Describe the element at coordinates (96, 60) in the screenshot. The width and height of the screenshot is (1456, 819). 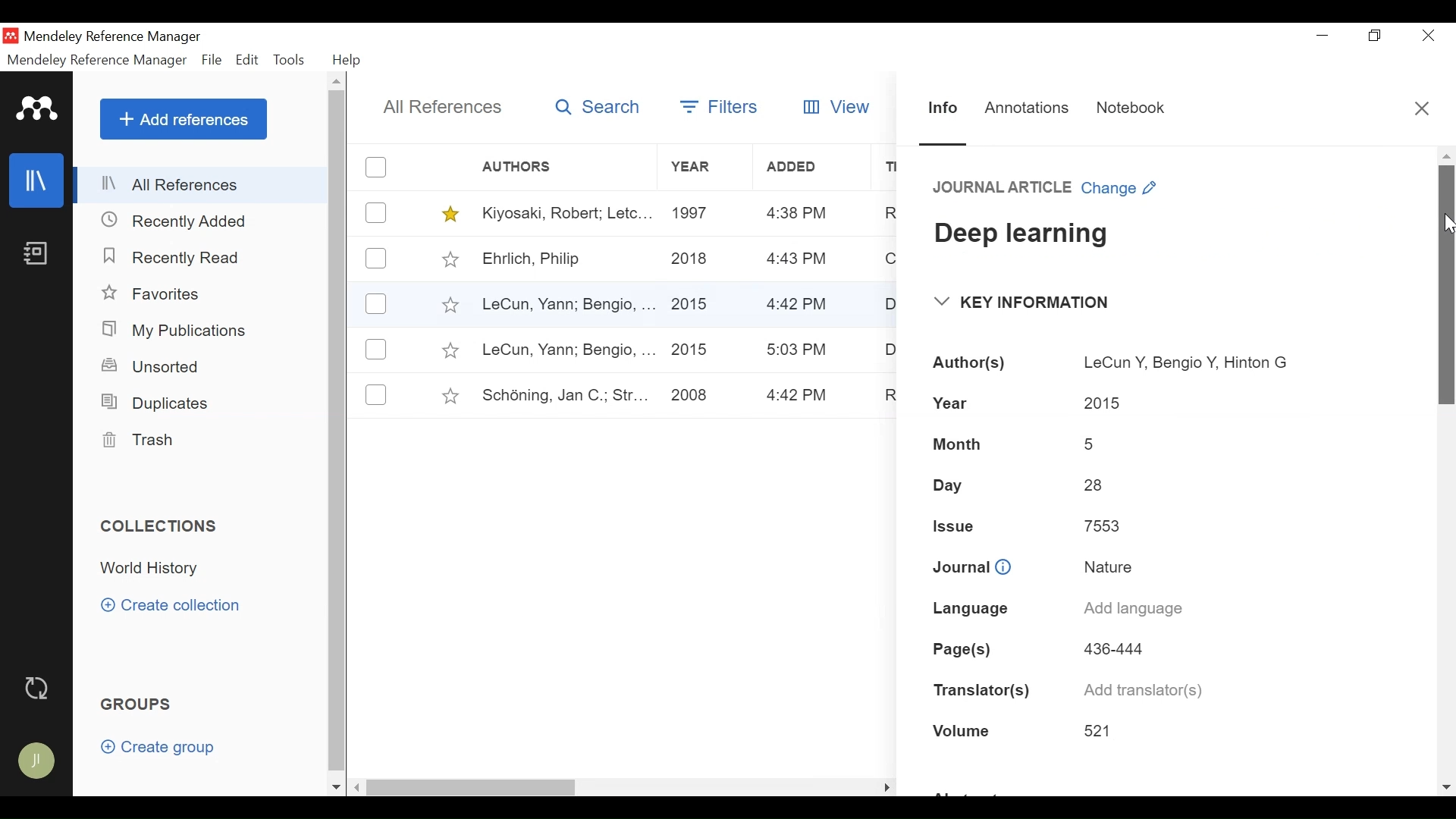
I see `Mendeley Reference Manager` at that location.